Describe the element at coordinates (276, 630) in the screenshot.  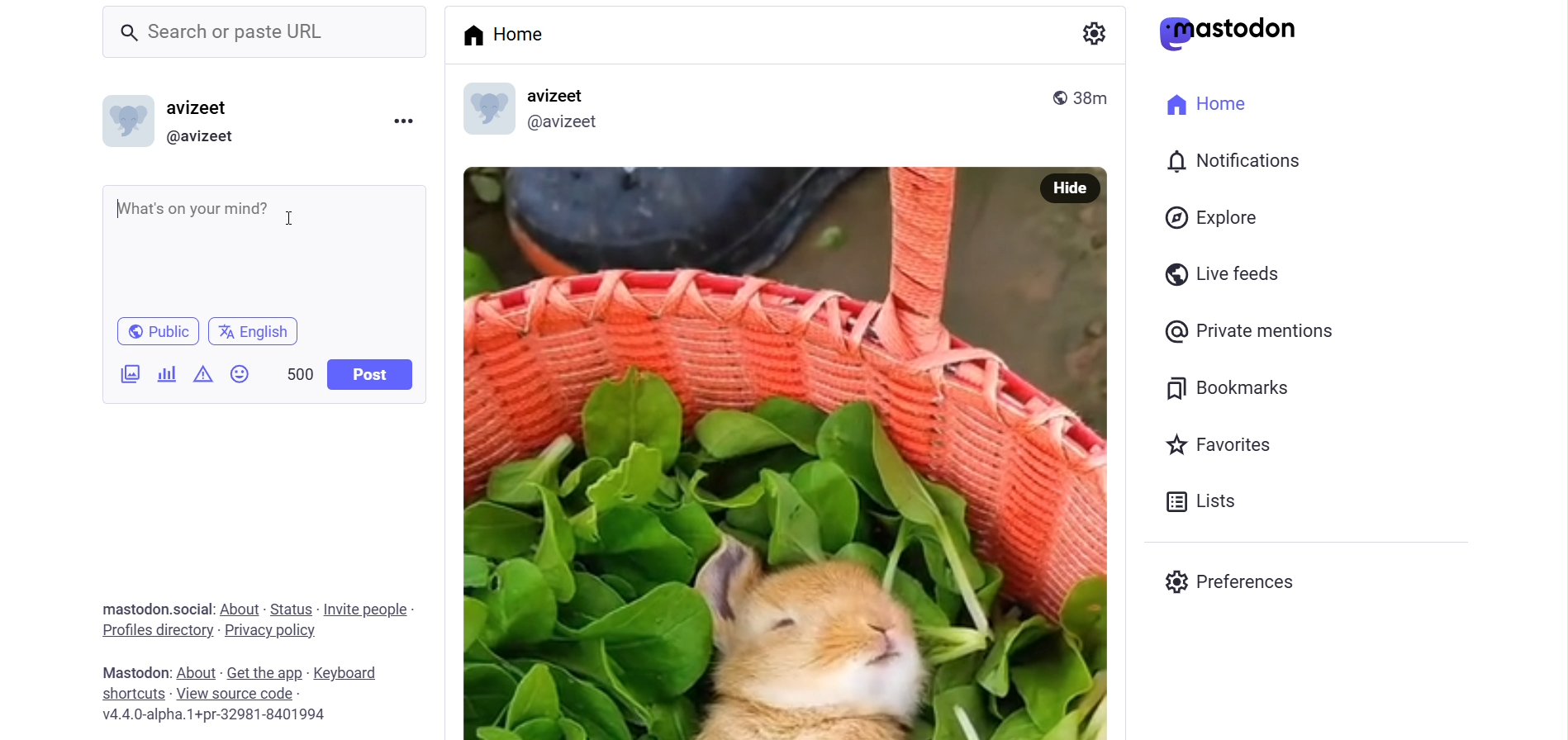
I see `Privacy policy` at that location.